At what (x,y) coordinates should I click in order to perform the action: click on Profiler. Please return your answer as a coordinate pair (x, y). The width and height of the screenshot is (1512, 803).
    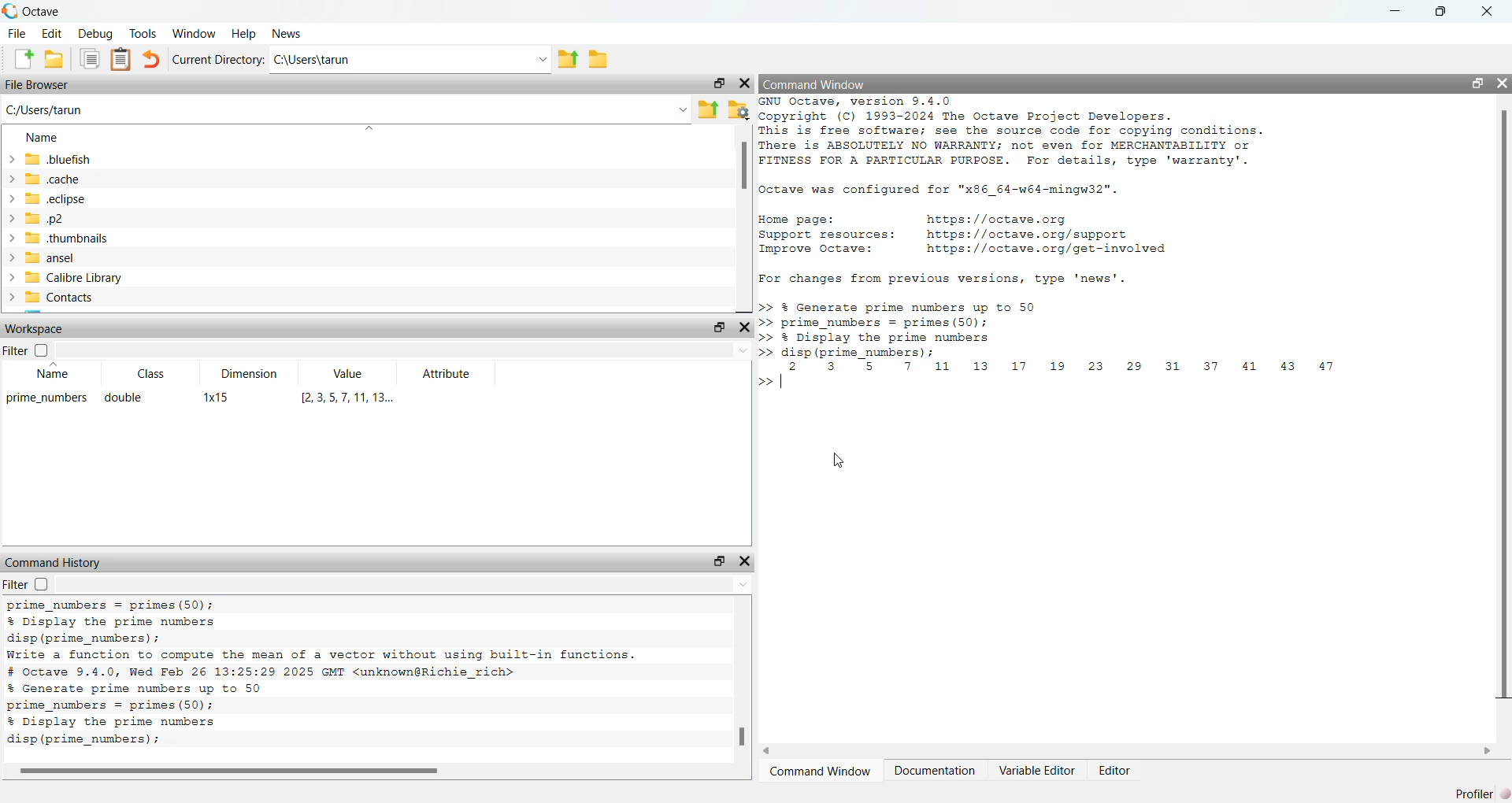
    Looking at the image, I should click on (1482, 794).